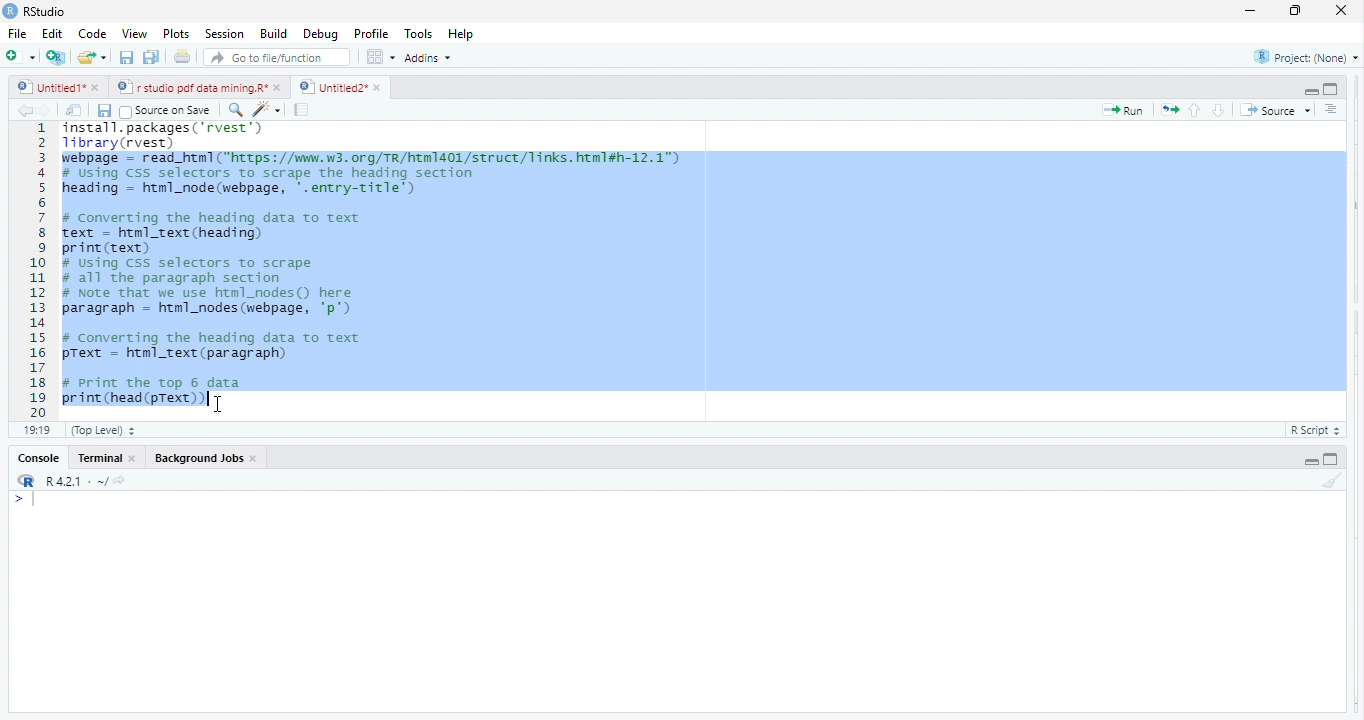  What do you see at coordinates (1329, 459) in the screenshot?
I see `hide console` at bounding box center [1329, 459].